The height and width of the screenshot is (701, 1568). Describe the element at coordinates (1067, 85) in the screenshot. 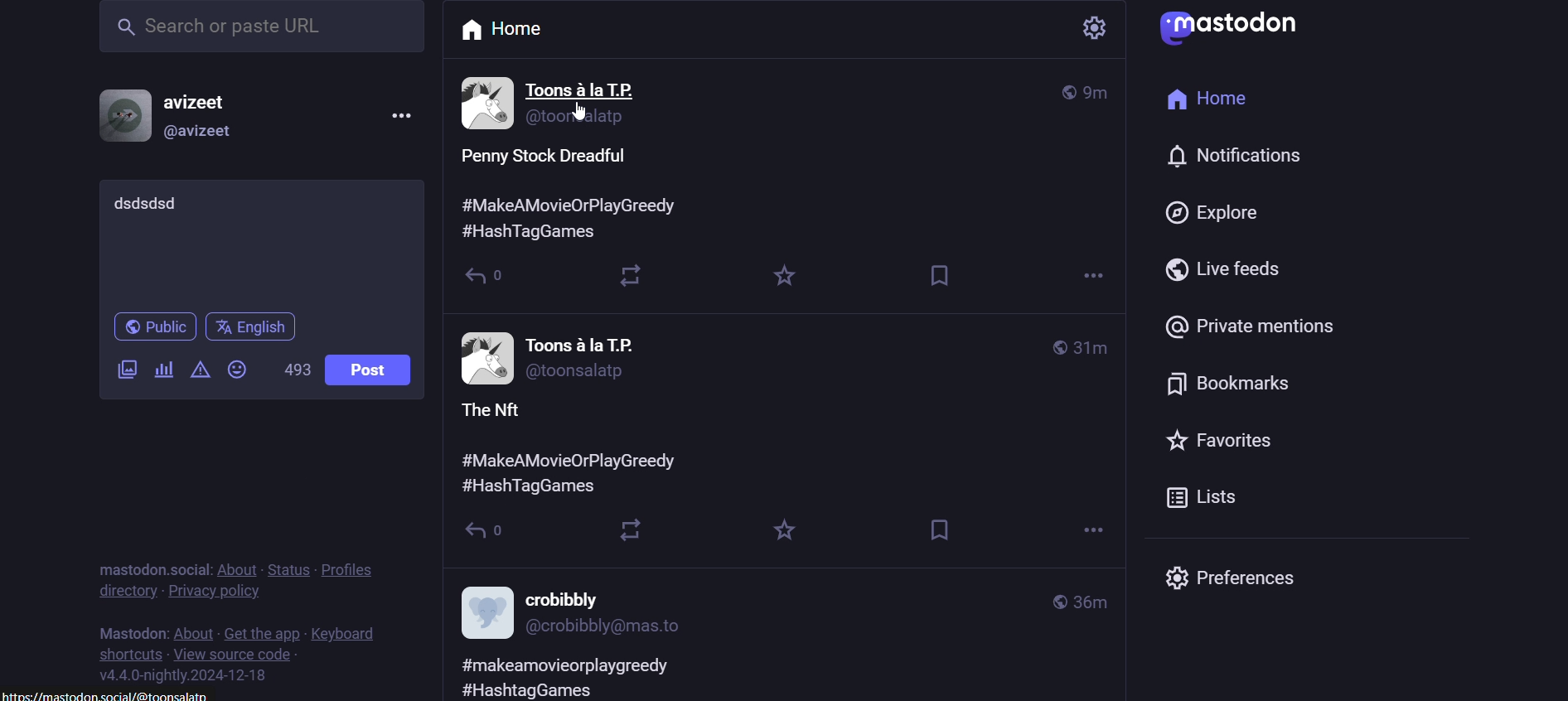

I see `global post` at that location.